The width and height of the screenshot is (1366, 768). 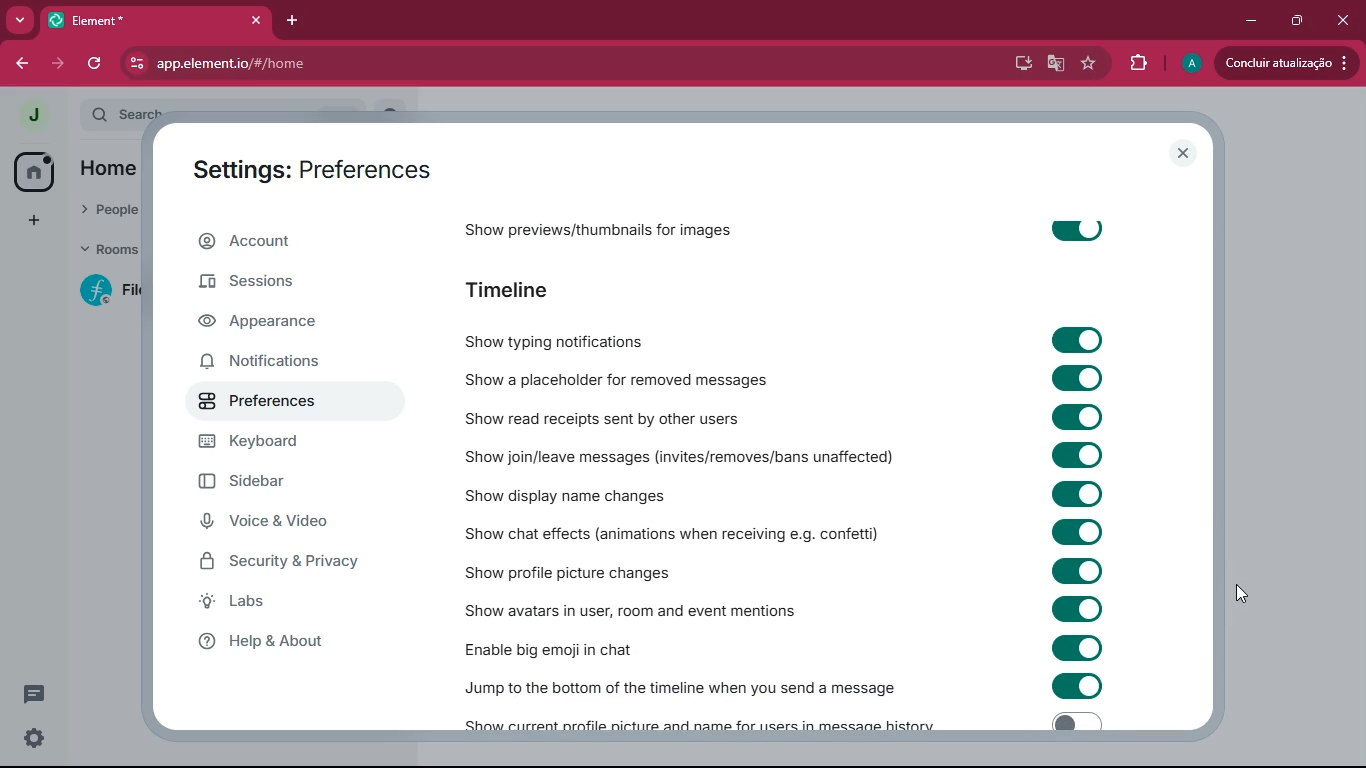 What do you see at coordinates (284, 605) in the screenshot?
I see `labs` at bounding box center [284, 605].